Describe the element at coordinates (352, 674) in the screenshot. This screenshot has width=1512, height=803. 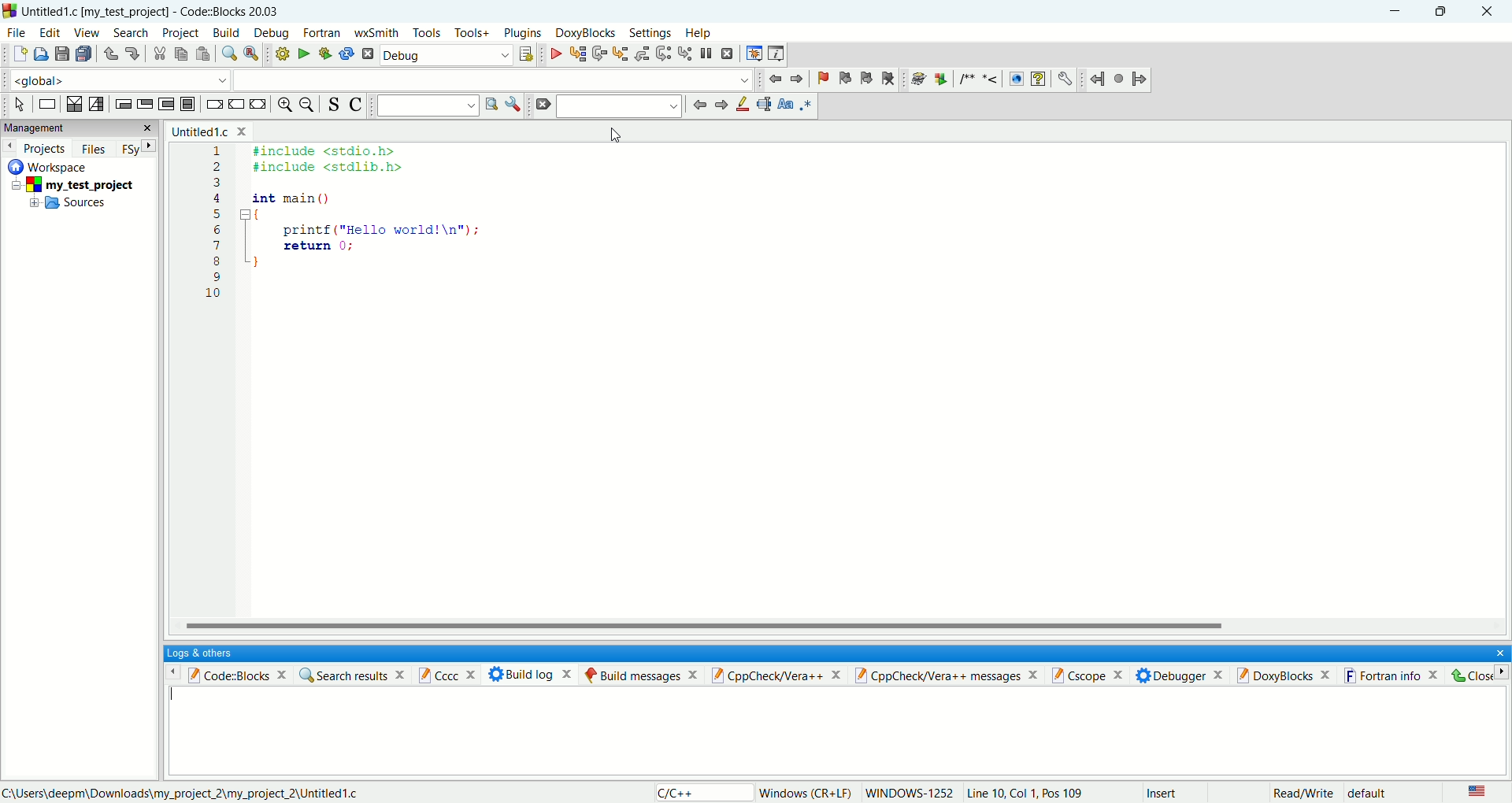
I see `search results` at that location.